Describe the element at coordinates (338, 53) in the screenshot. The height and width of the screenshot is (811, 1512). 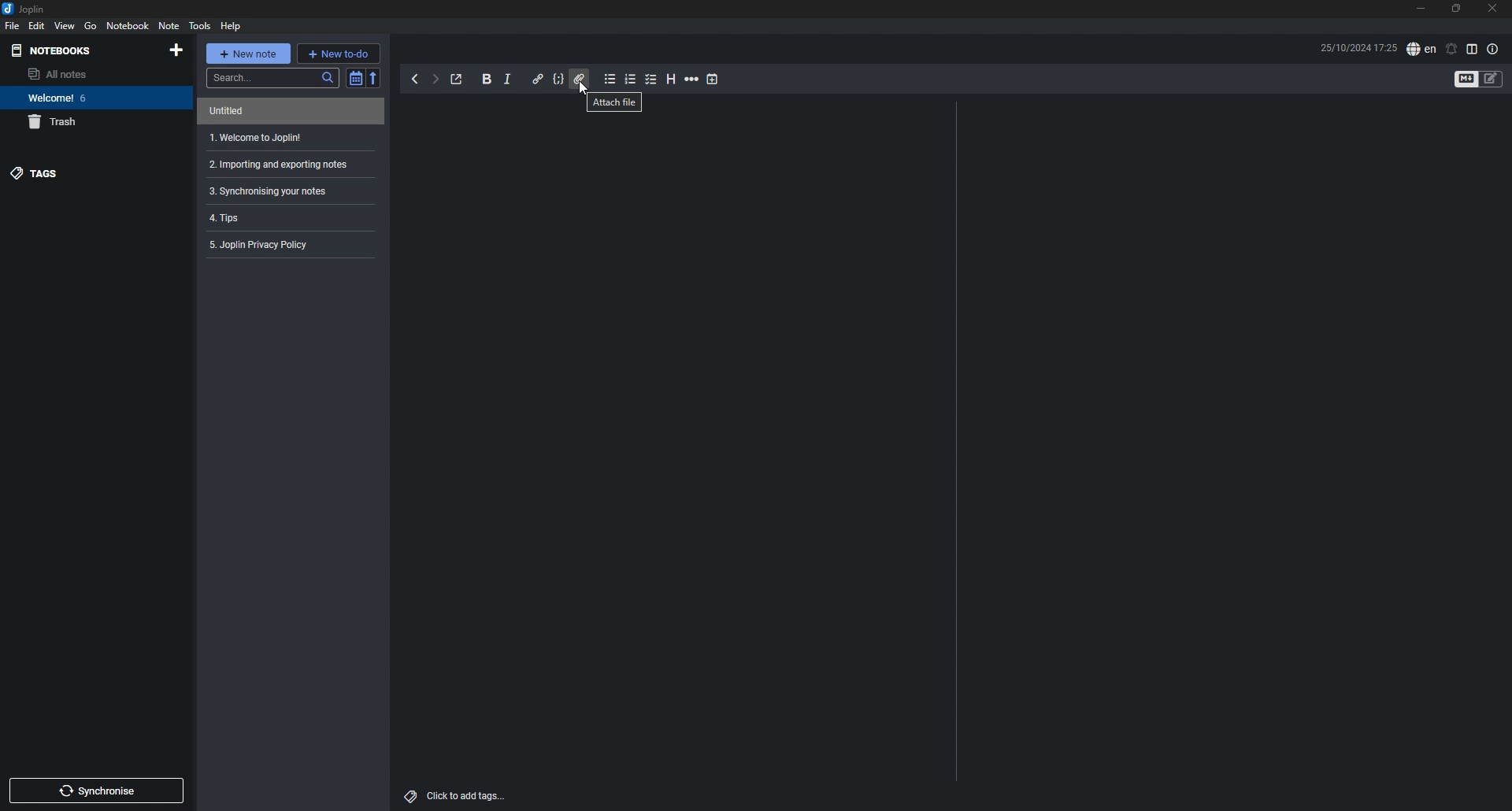
I see `new todo` at that location.